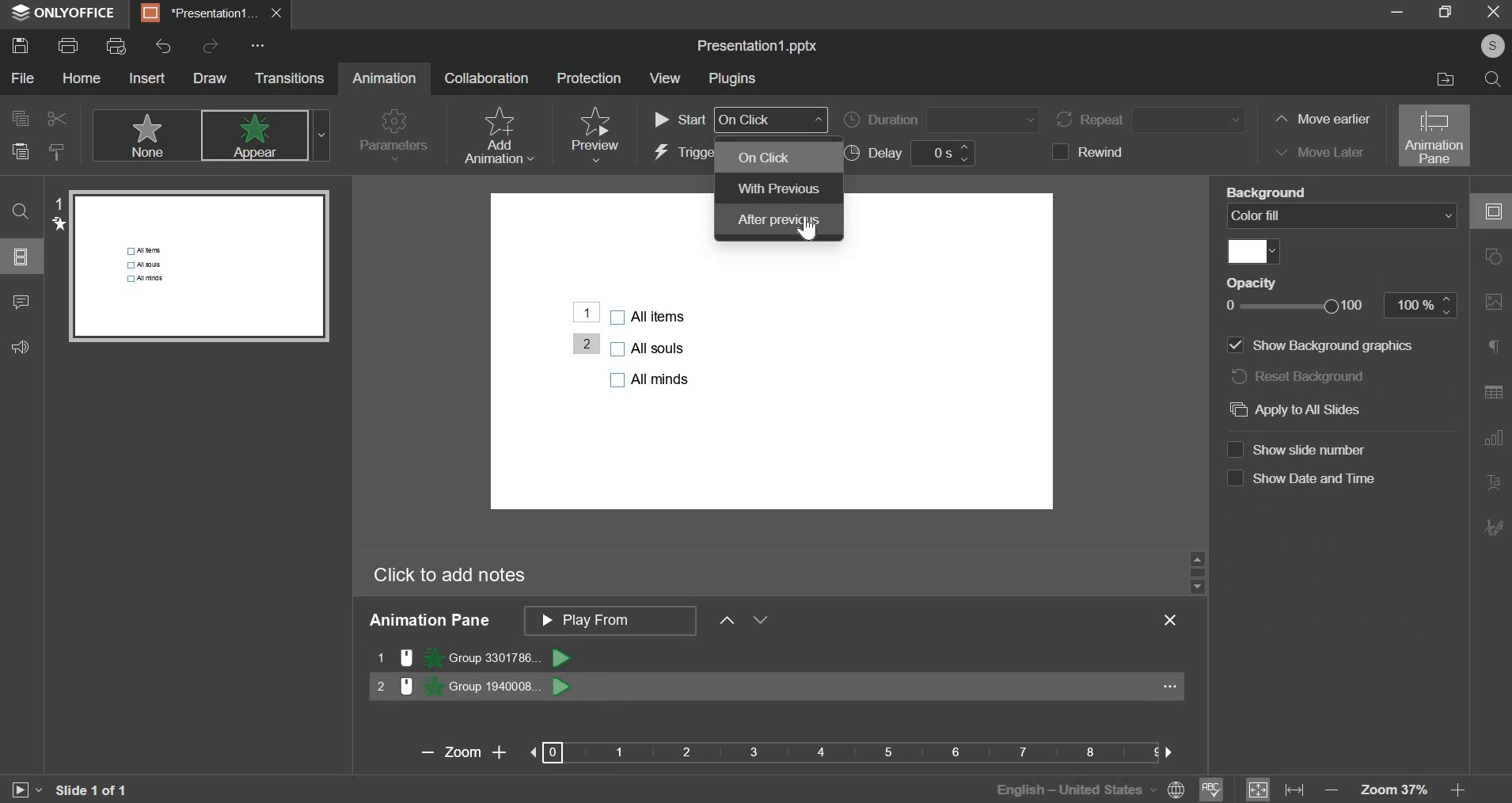  What do you see at coordinates (1301, 479) in the screenshot?
I see `show date and time` at bounding box center [1301, 479].